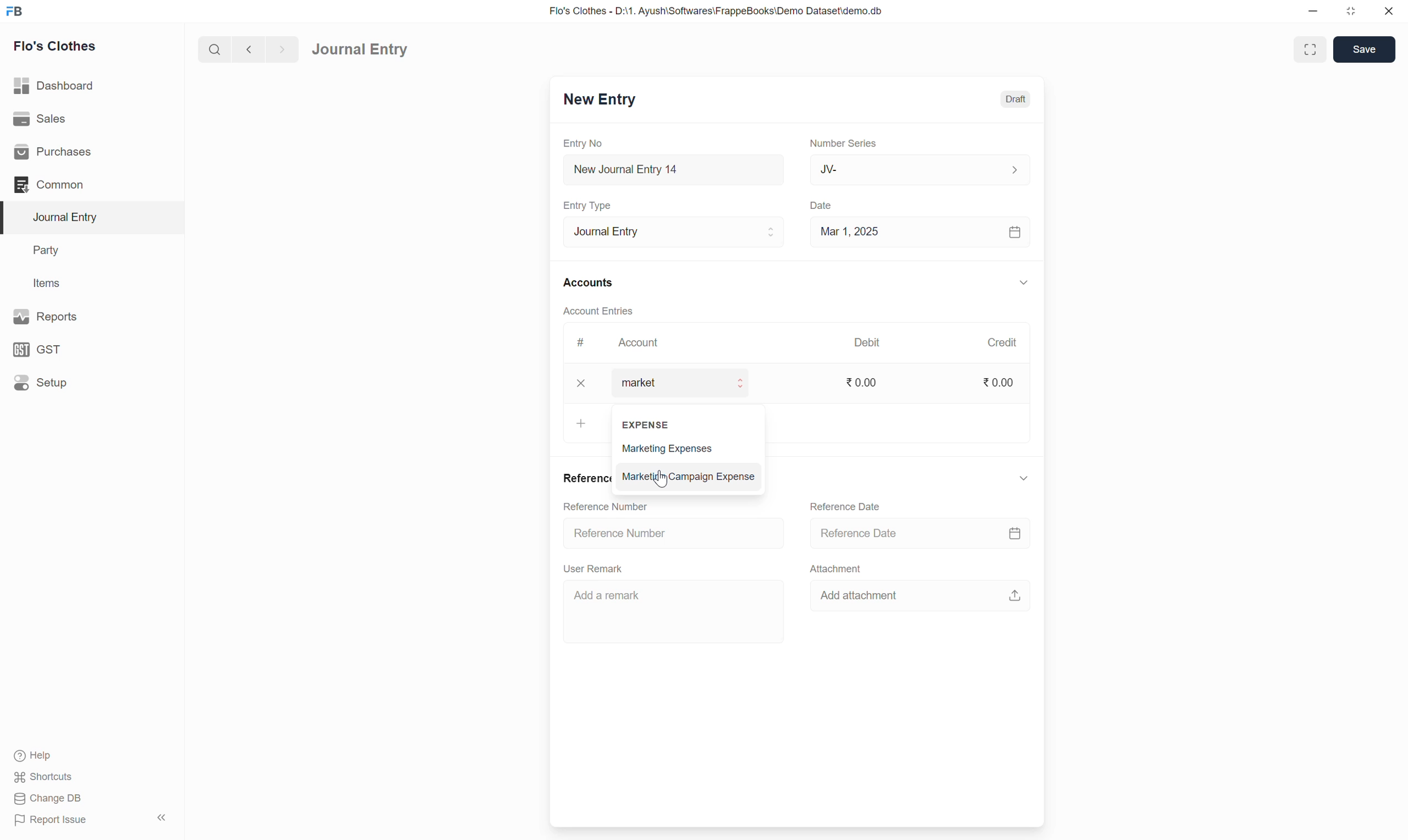  I want to click on GST, so click(39, 350).